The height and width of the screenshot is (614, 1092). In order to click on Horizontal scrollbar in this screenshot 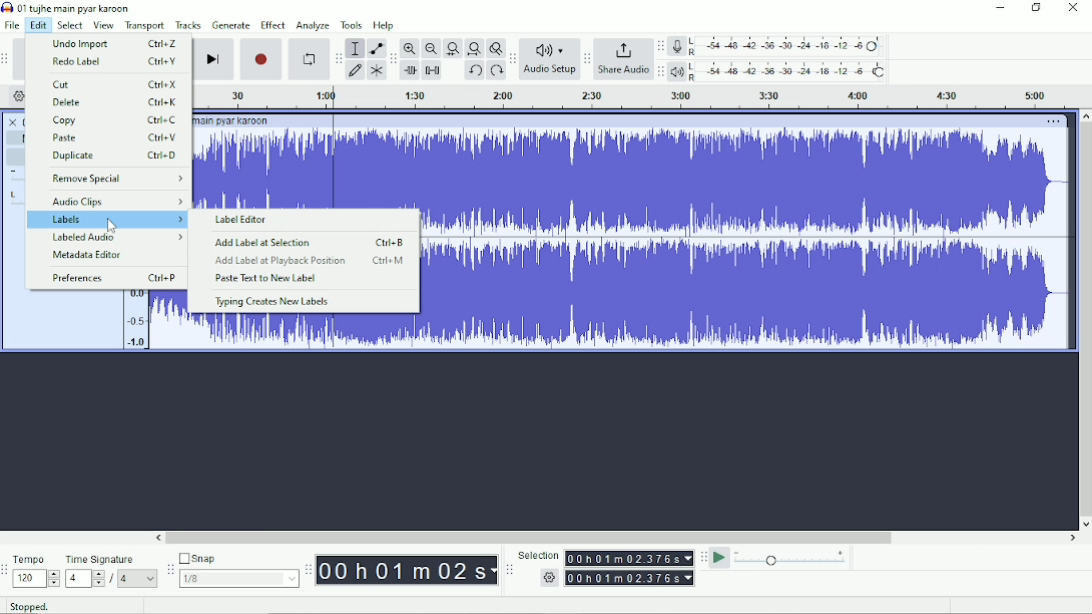, I will do `click(534, 537)`.